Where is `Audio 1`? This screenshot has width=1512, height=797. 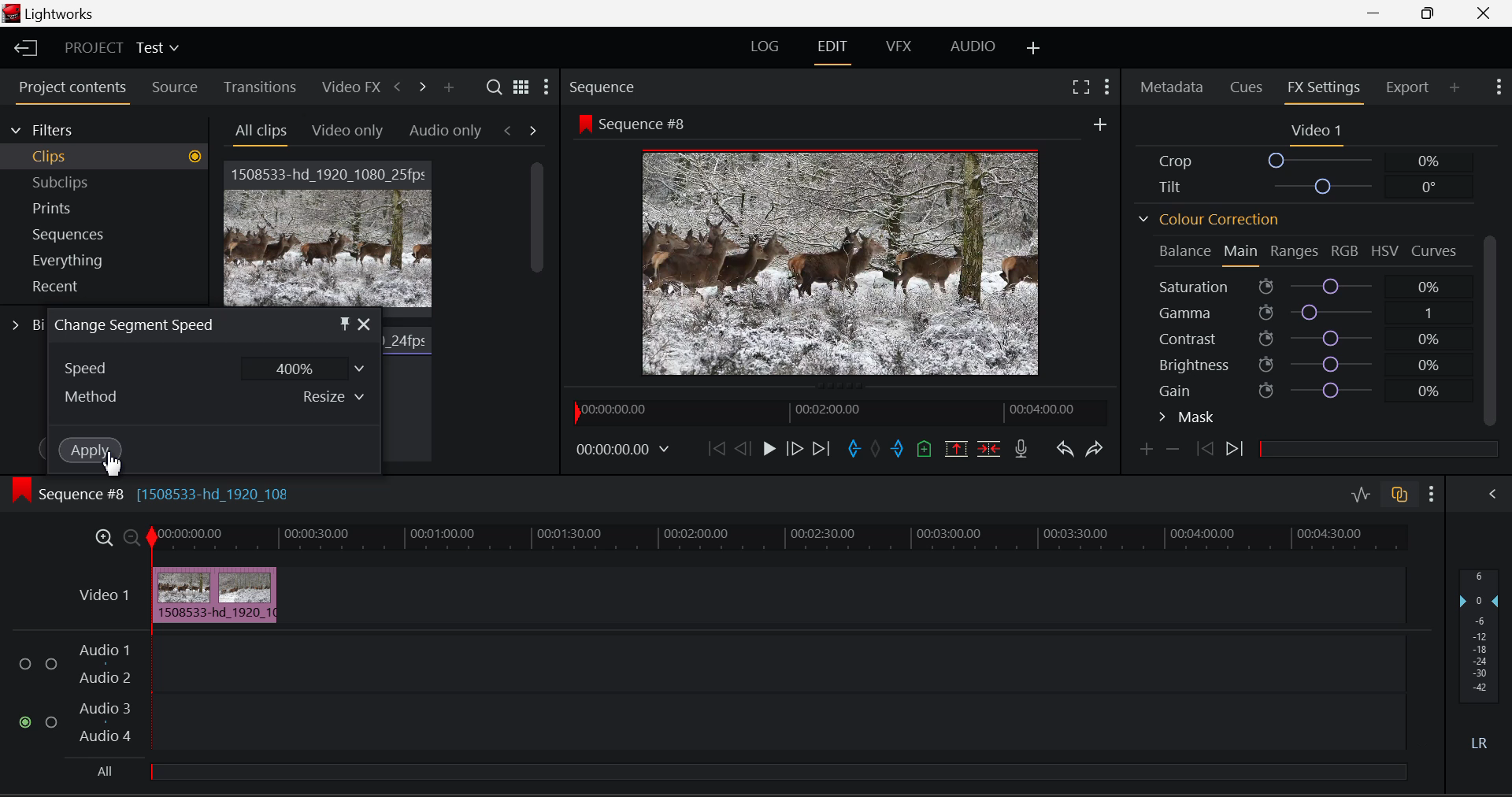 Audio 1 is located at coordinates (107, 648).